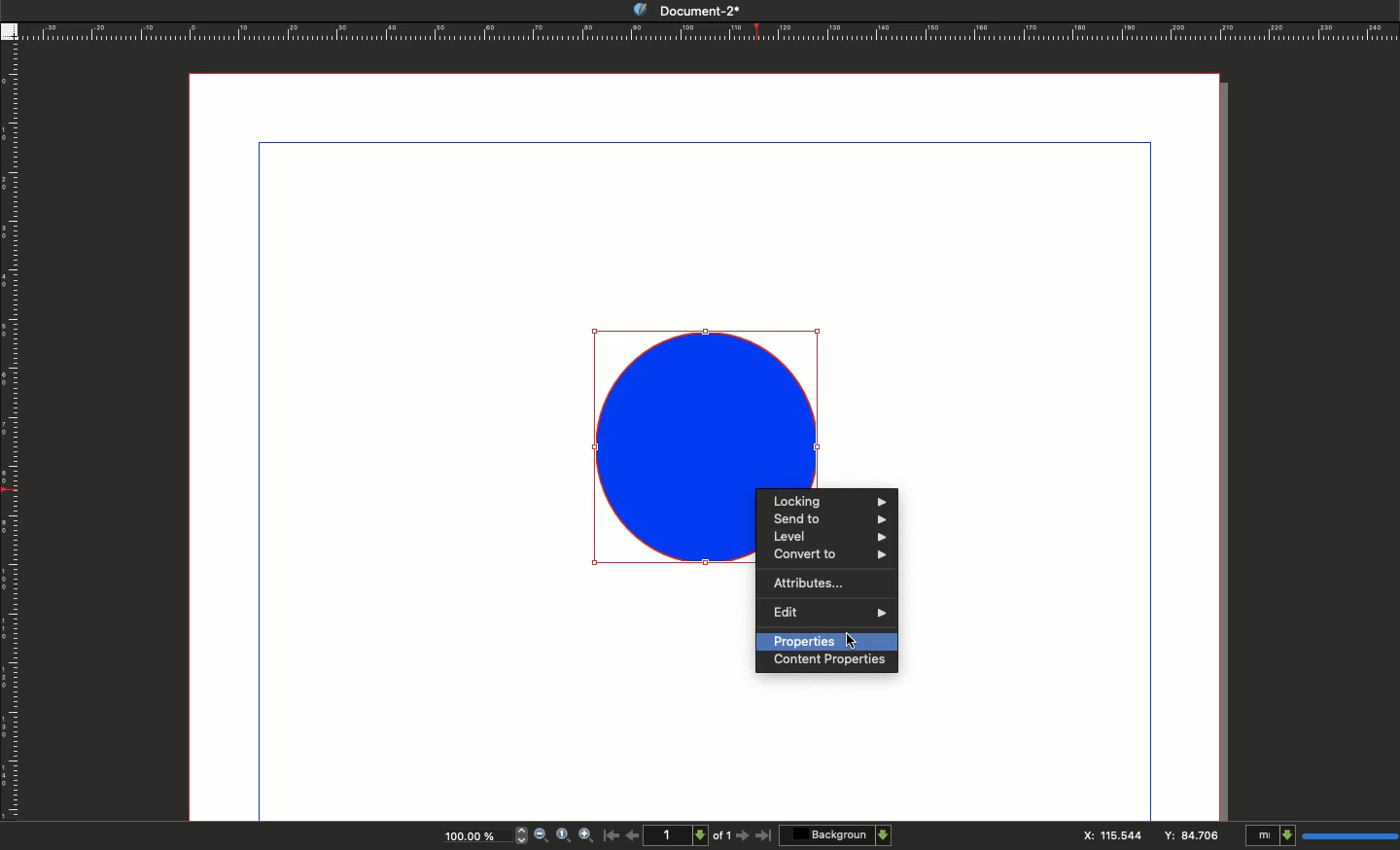 The width and height of the screenshot is (1400, 850). Describe the element at coordinates (1193, 834) in the screenshot. I see `Y: 84.706` at that location.